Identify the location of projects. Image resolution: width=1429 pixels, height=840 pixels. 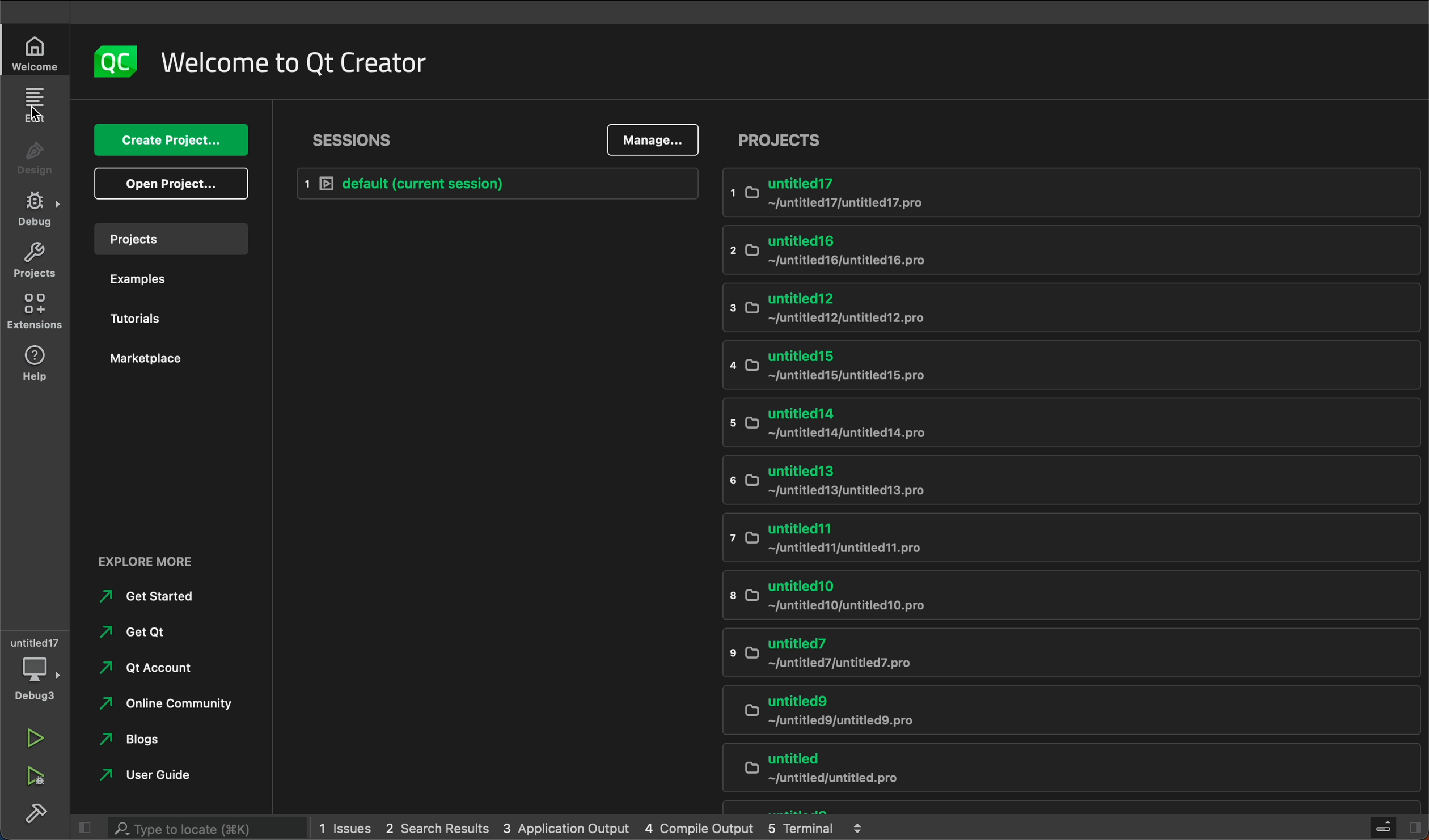
(37, 259).